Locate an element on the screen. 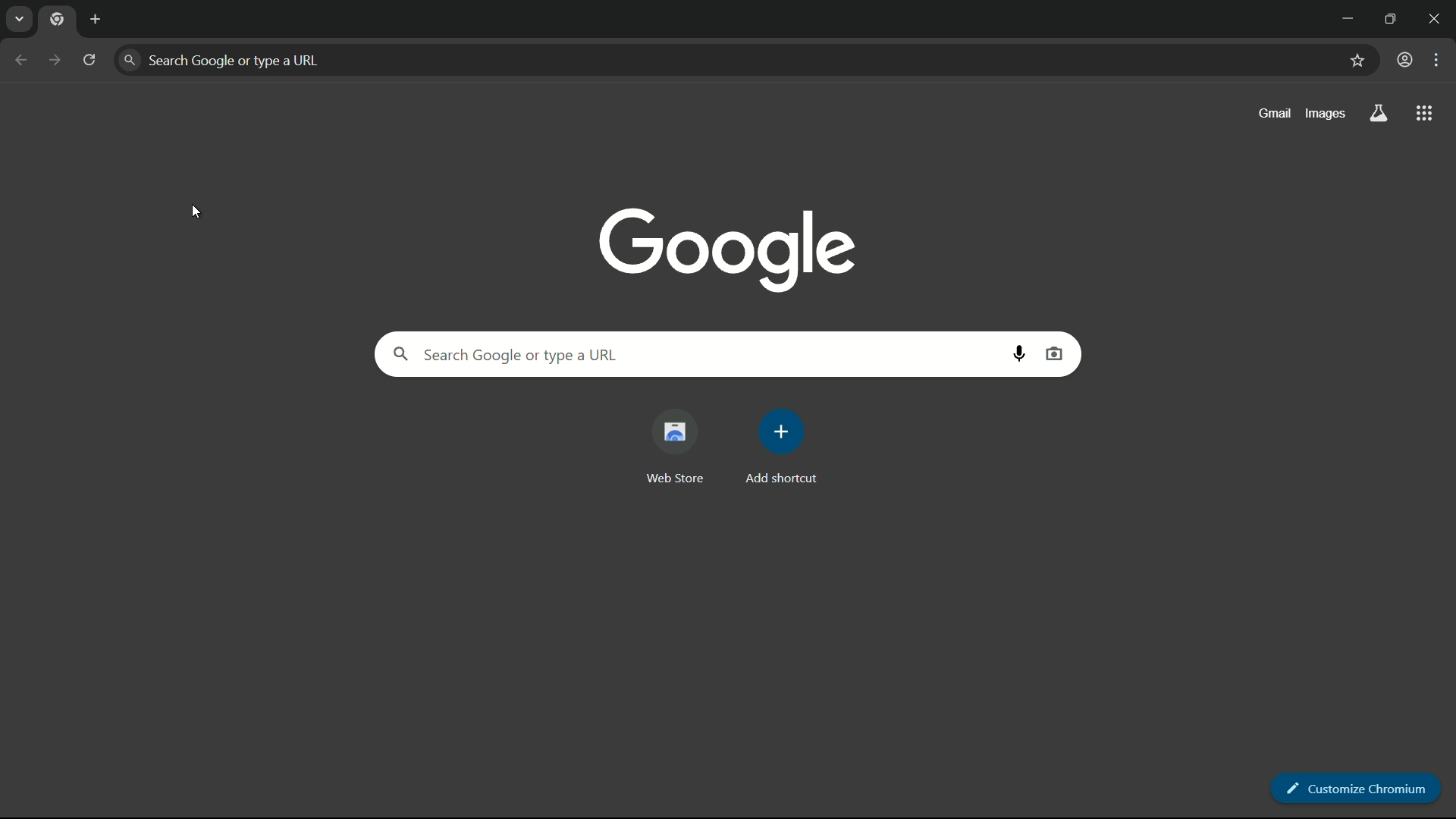  add shortcut is located at coordinates (780, 448).